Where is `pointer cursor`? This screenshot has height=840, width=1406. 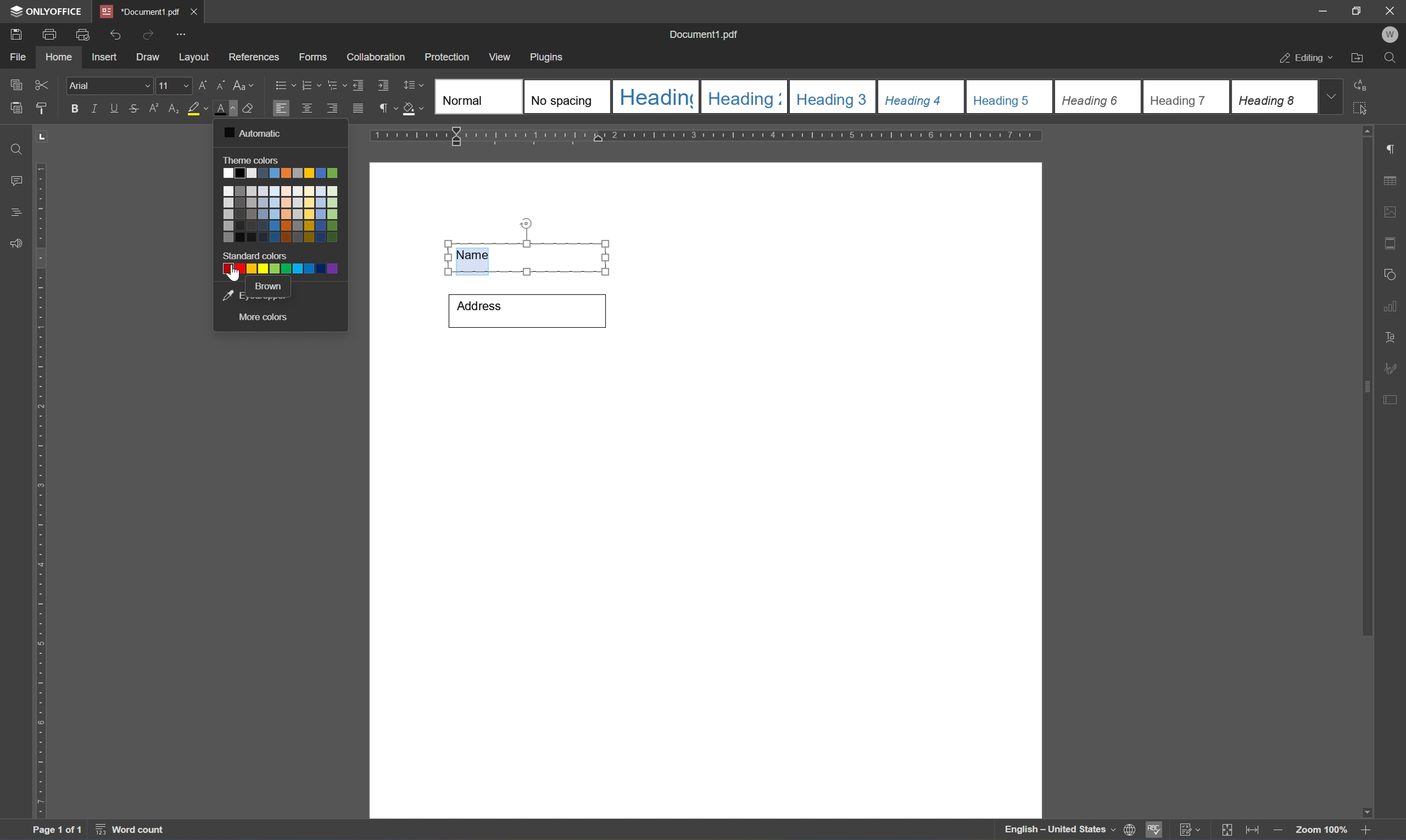 pointer cursor is located at coordinates (237, 278).